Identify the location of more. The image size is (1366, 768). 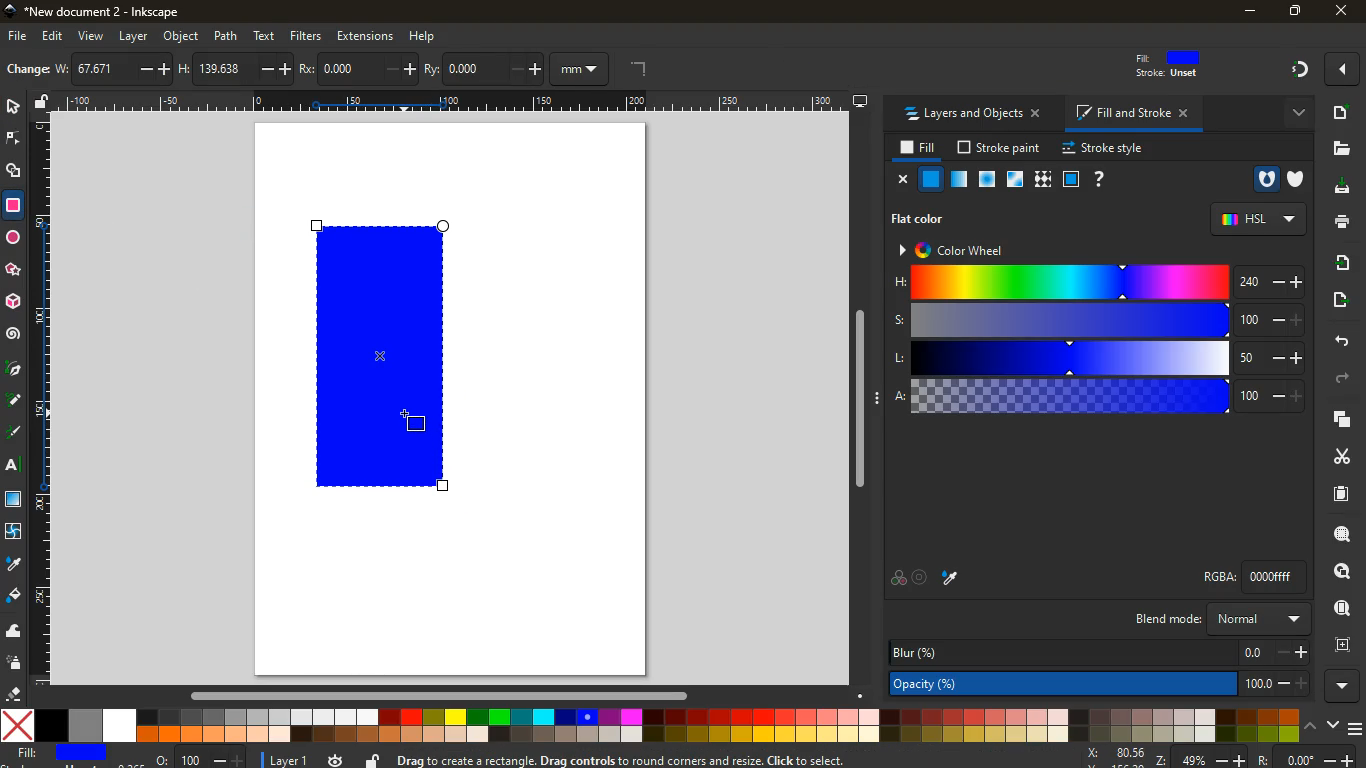
(1300, 116).